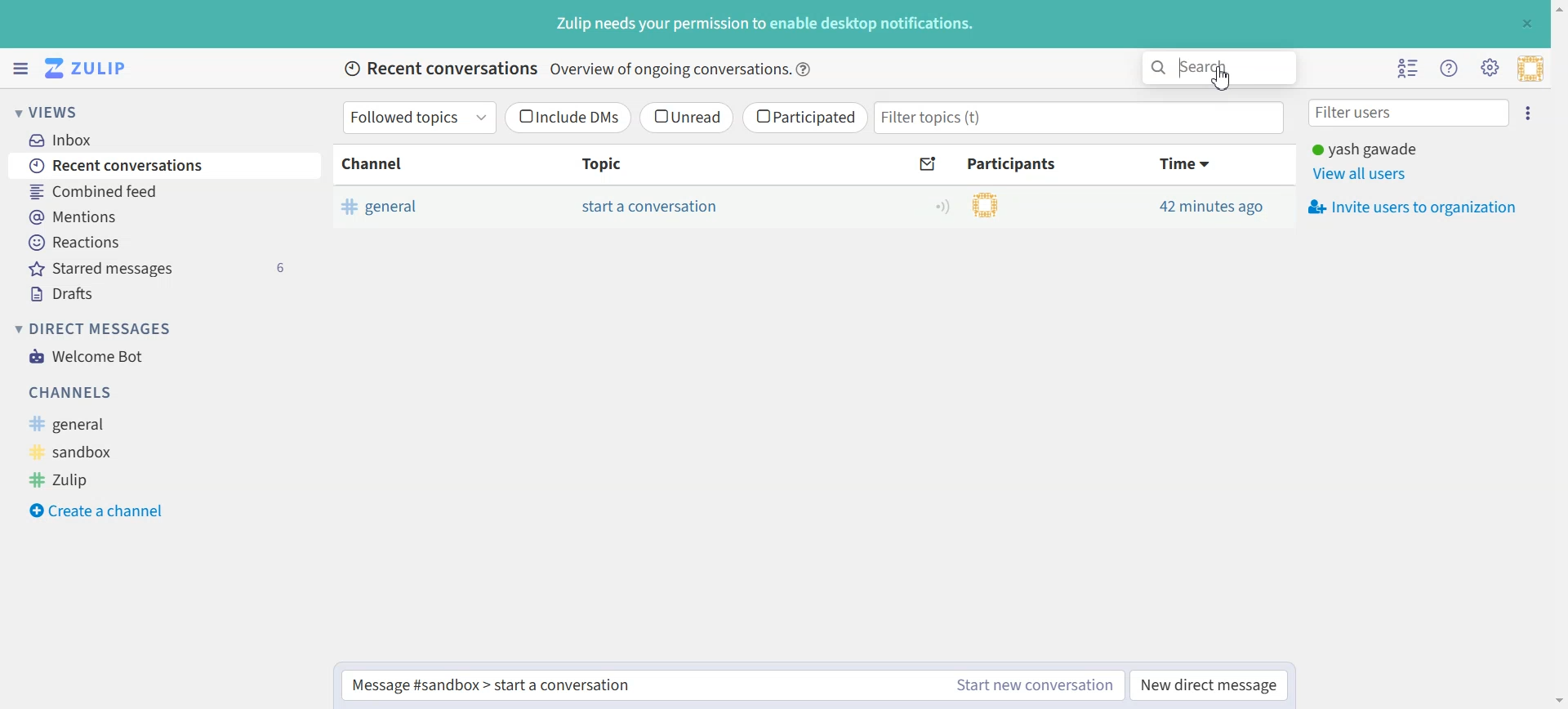 This screenshot has height=709, width=1568. Describe the element at coordinates (155, 138) in the screenshot. I see `Inbox` at that location.